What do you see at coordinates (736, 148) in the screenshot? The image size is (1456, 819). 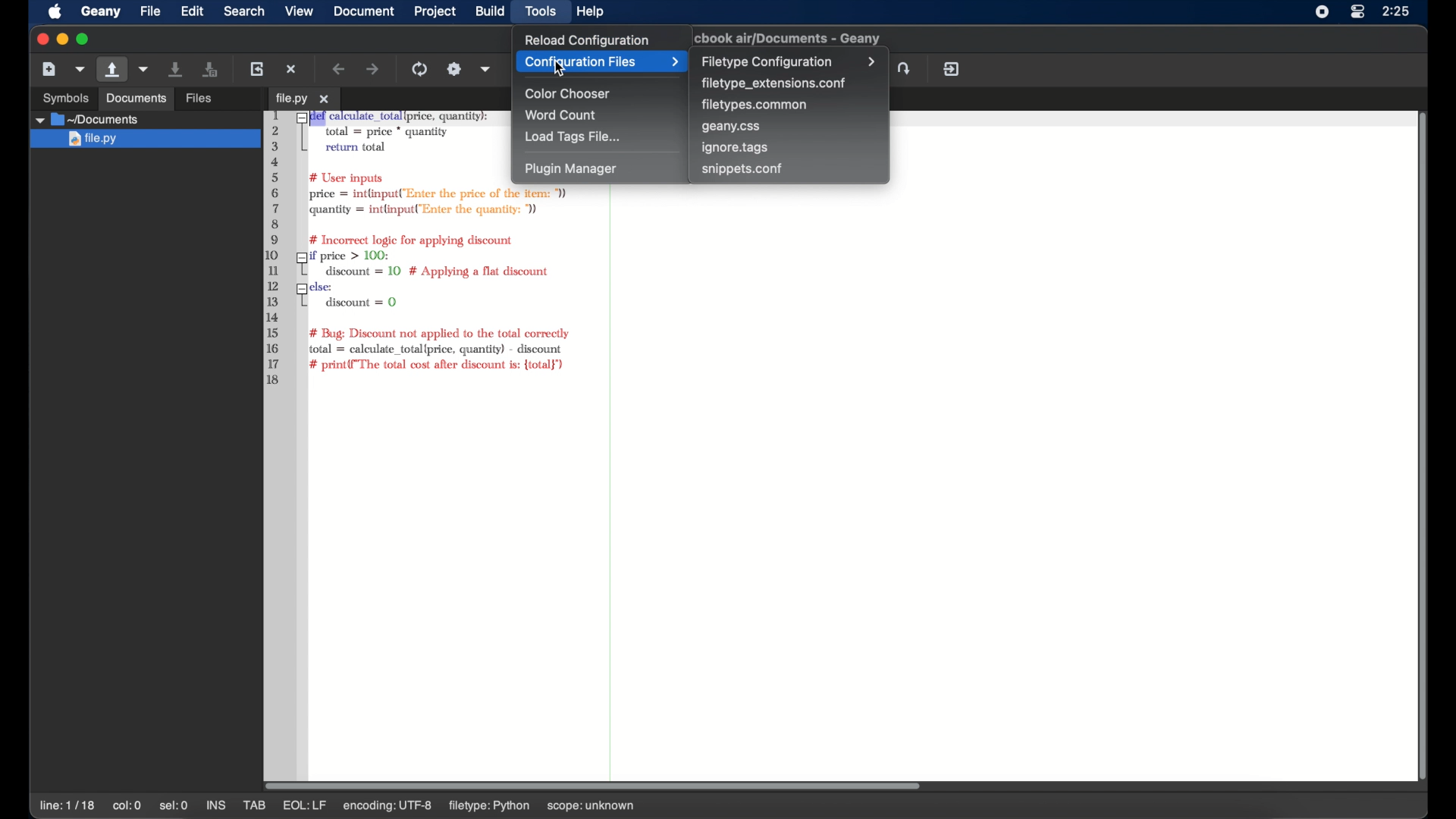 I see `ignore.tags` at bounding box center [736, 148].